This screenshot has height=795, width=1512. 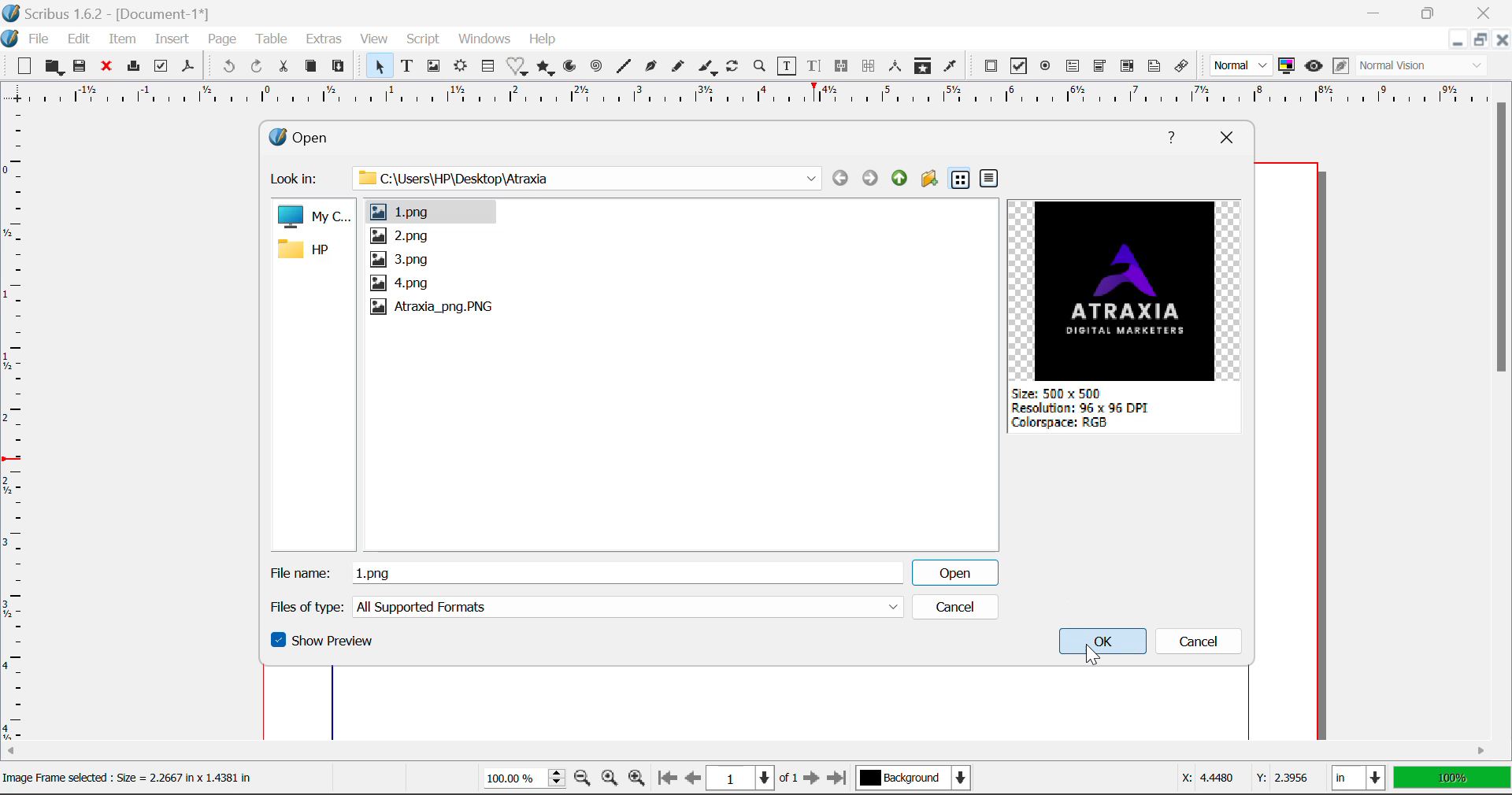 What do you see at coordinates (487, 68) in the screenshot?
I see `Insert Cells` at bounding box center [487, 68].